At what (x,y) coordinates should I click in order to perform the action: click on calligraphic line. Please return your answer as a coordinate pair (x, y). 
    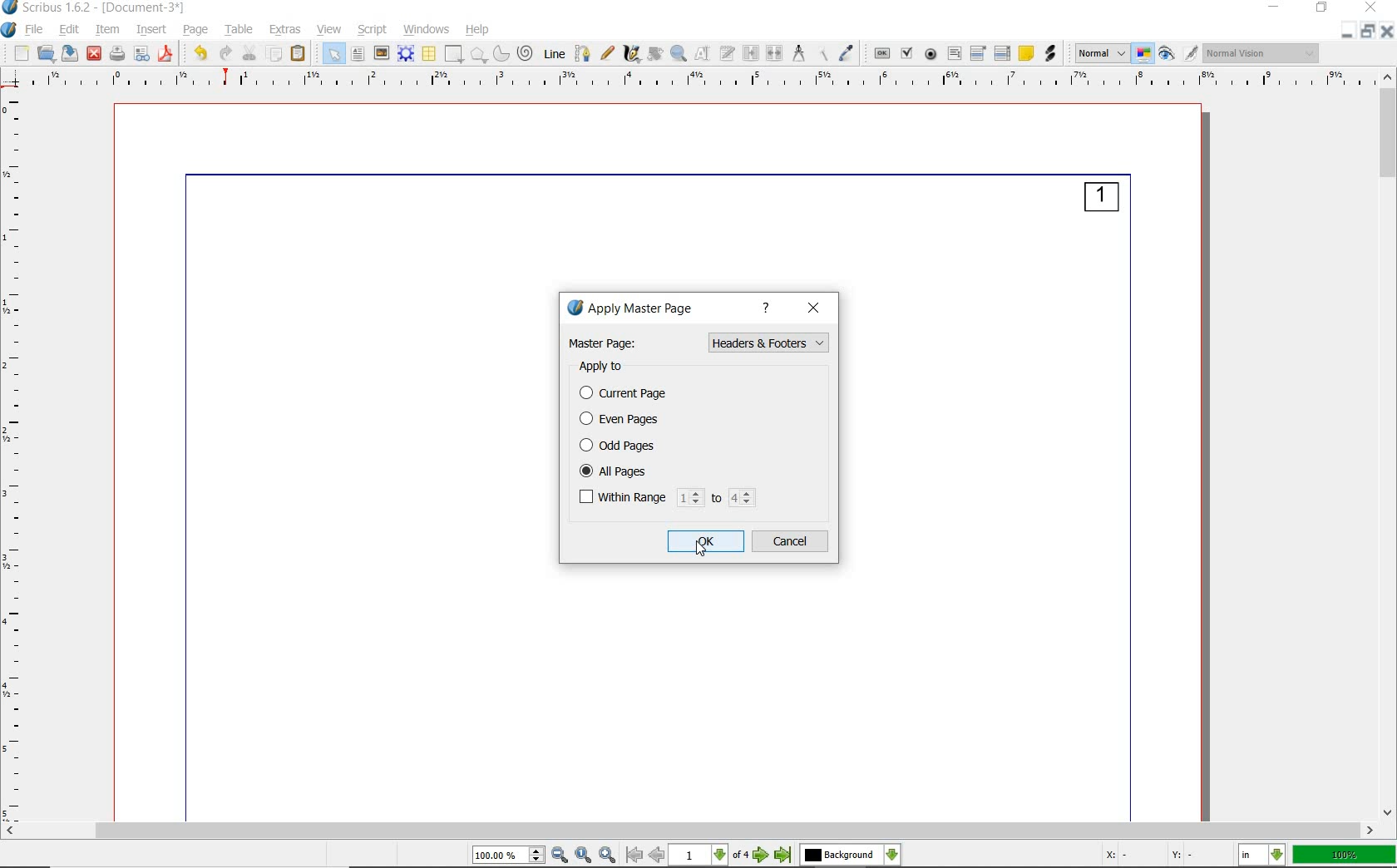
    Looking at the image, I should click on (632, 55).